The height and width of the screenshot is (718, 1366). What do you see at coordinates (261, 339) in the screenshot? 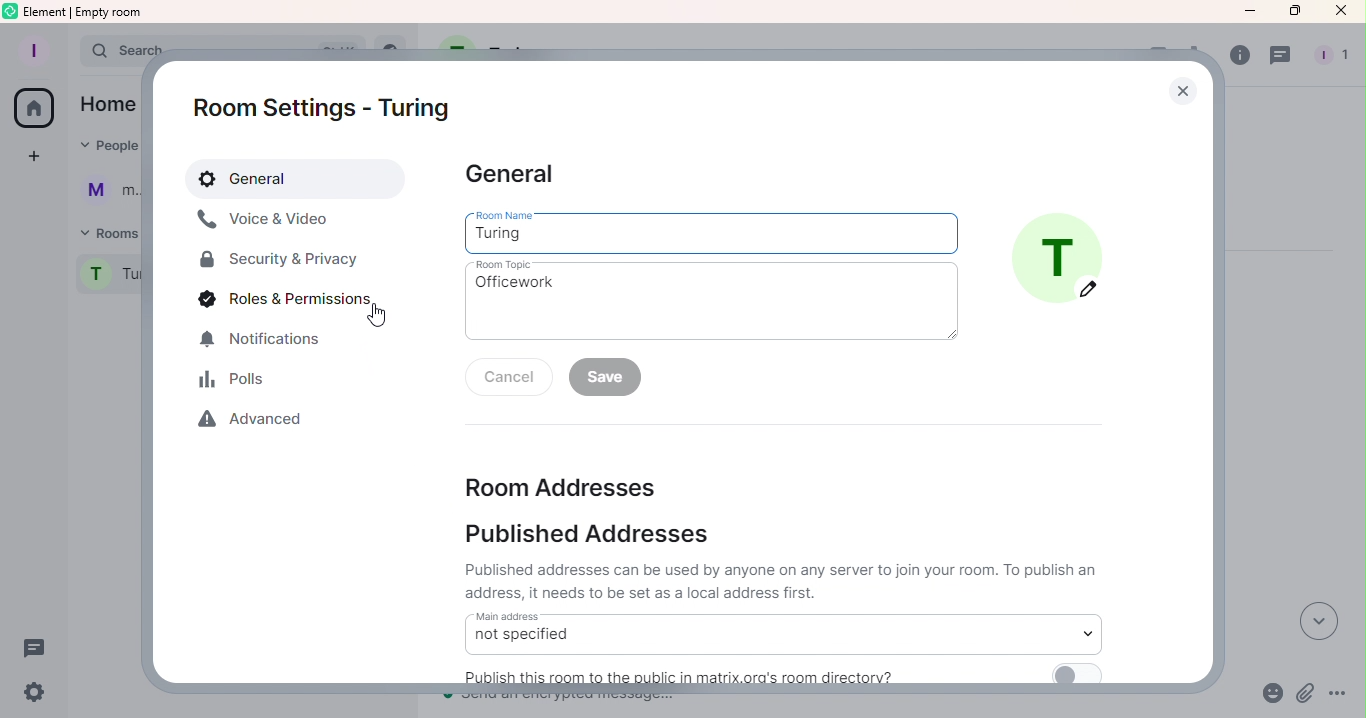
I see `Notification` at bounding box center [261, 339].